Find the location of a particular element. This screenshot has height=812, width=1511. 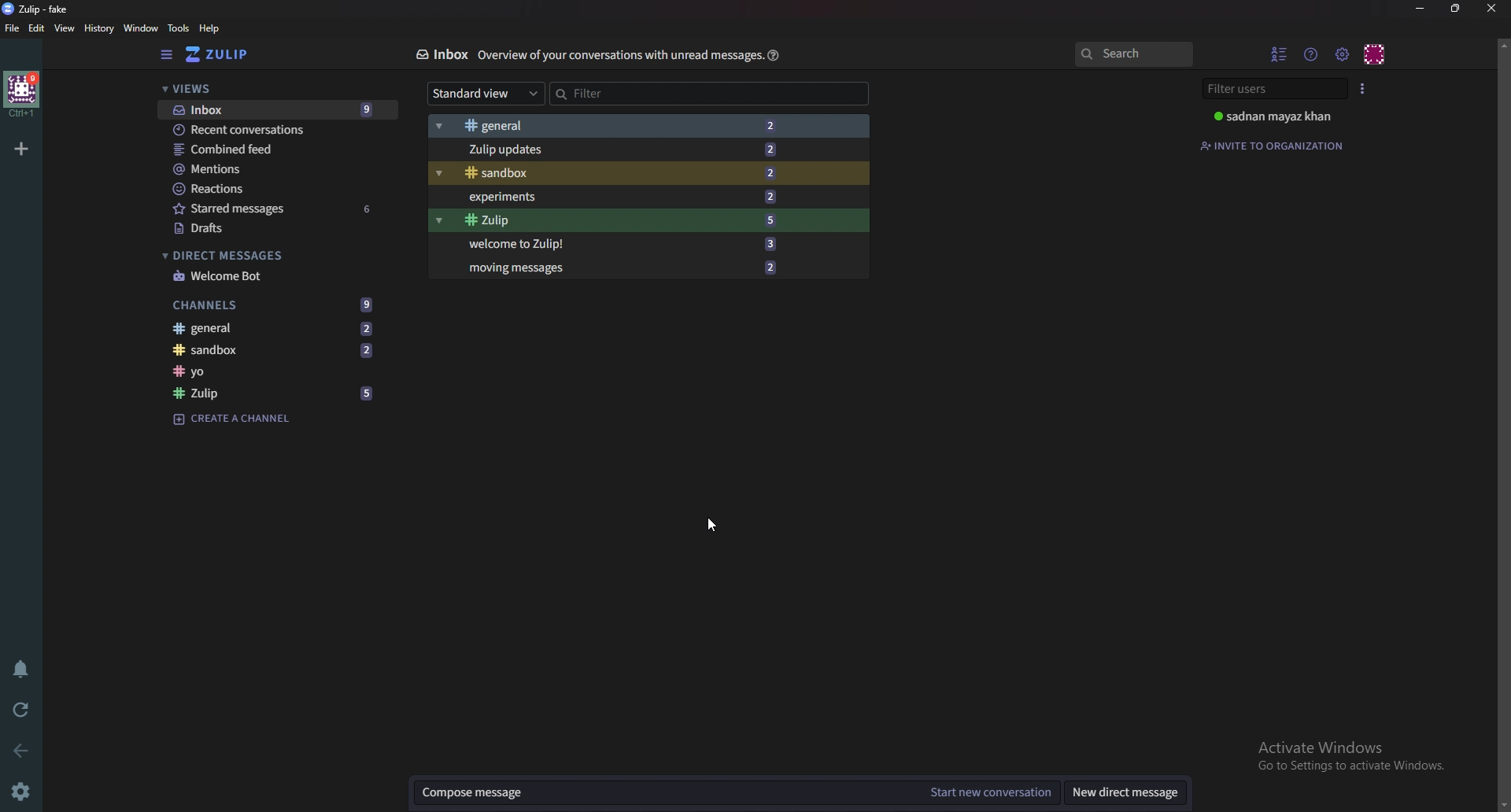

Reload is located at coordinates (17, 711).